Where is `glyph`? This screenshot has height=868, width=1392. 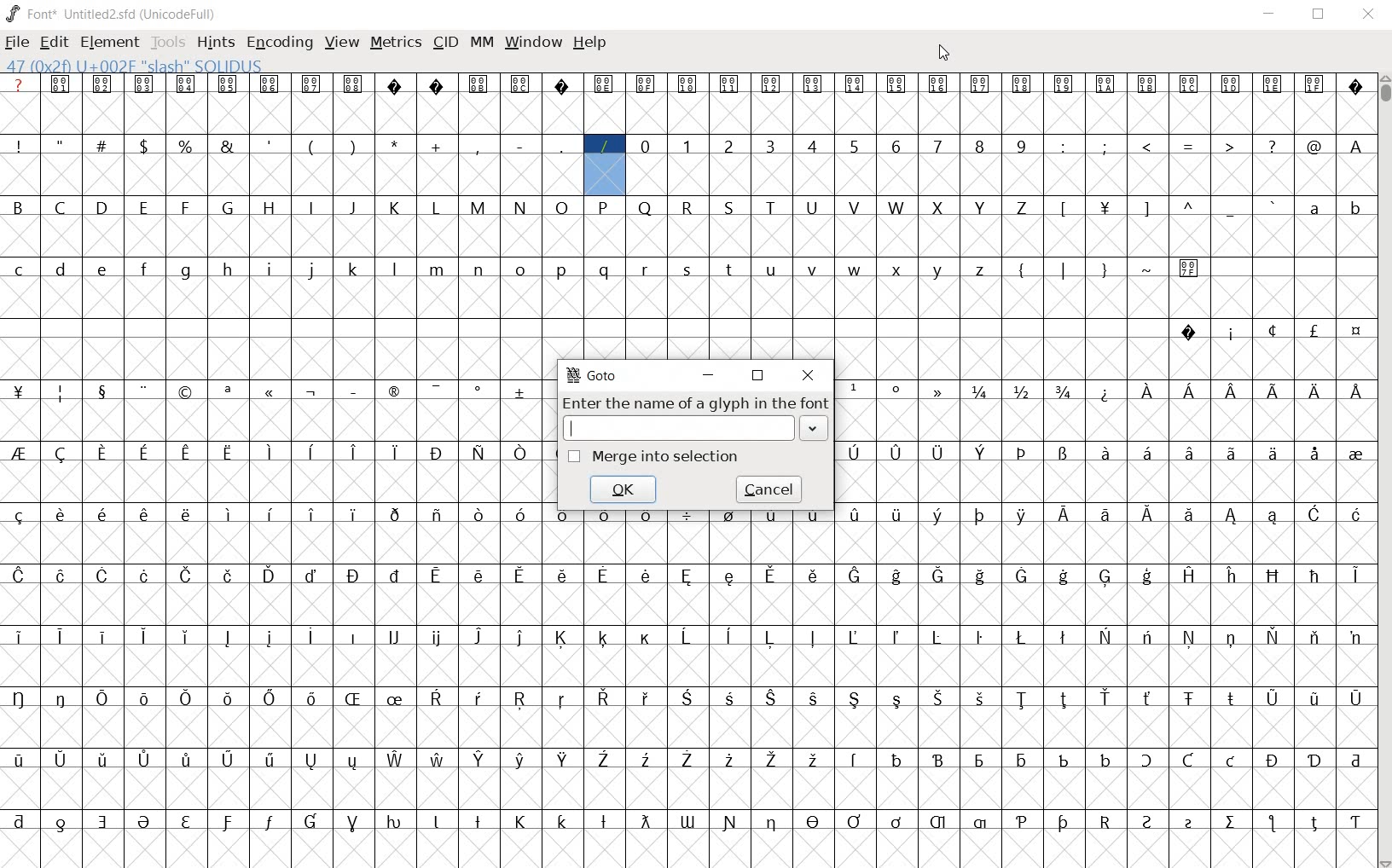
glyph is located at coordinates (811, 145).